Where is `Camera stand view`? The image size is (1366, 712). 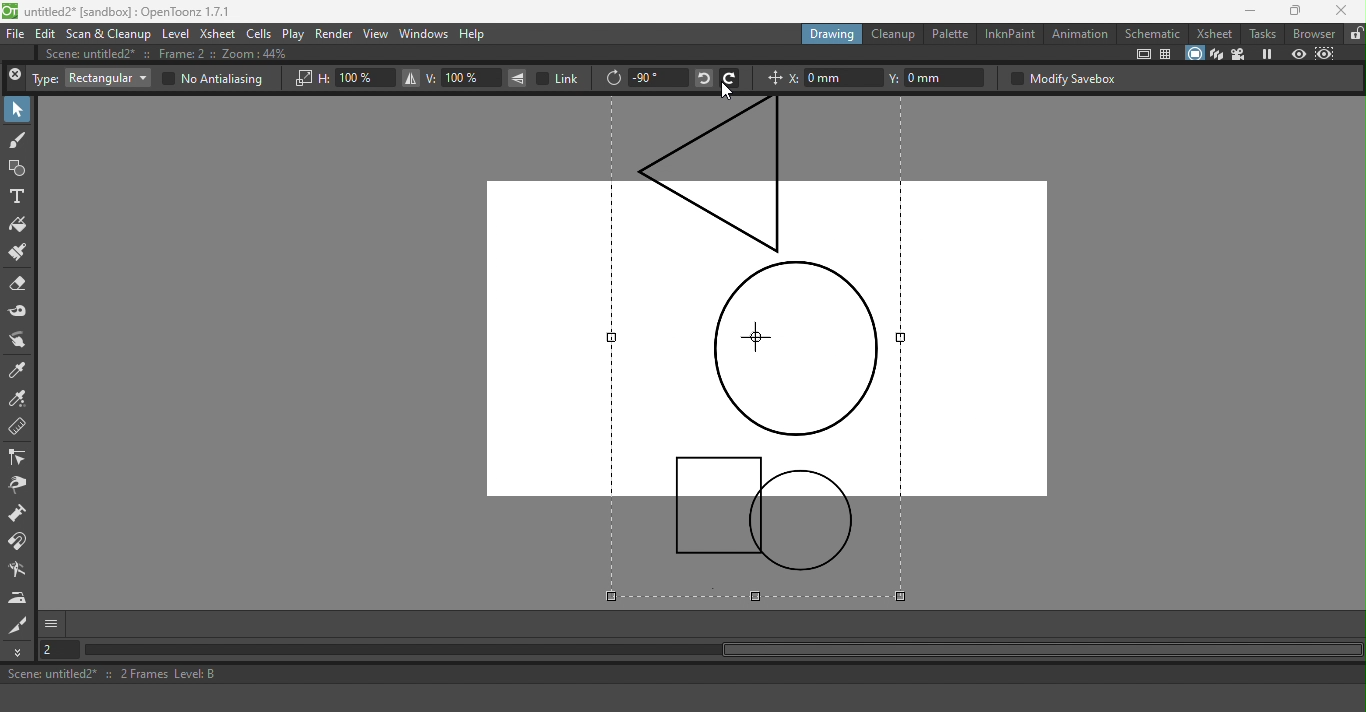 Camera stand view is located at coordinates (1193, 53).